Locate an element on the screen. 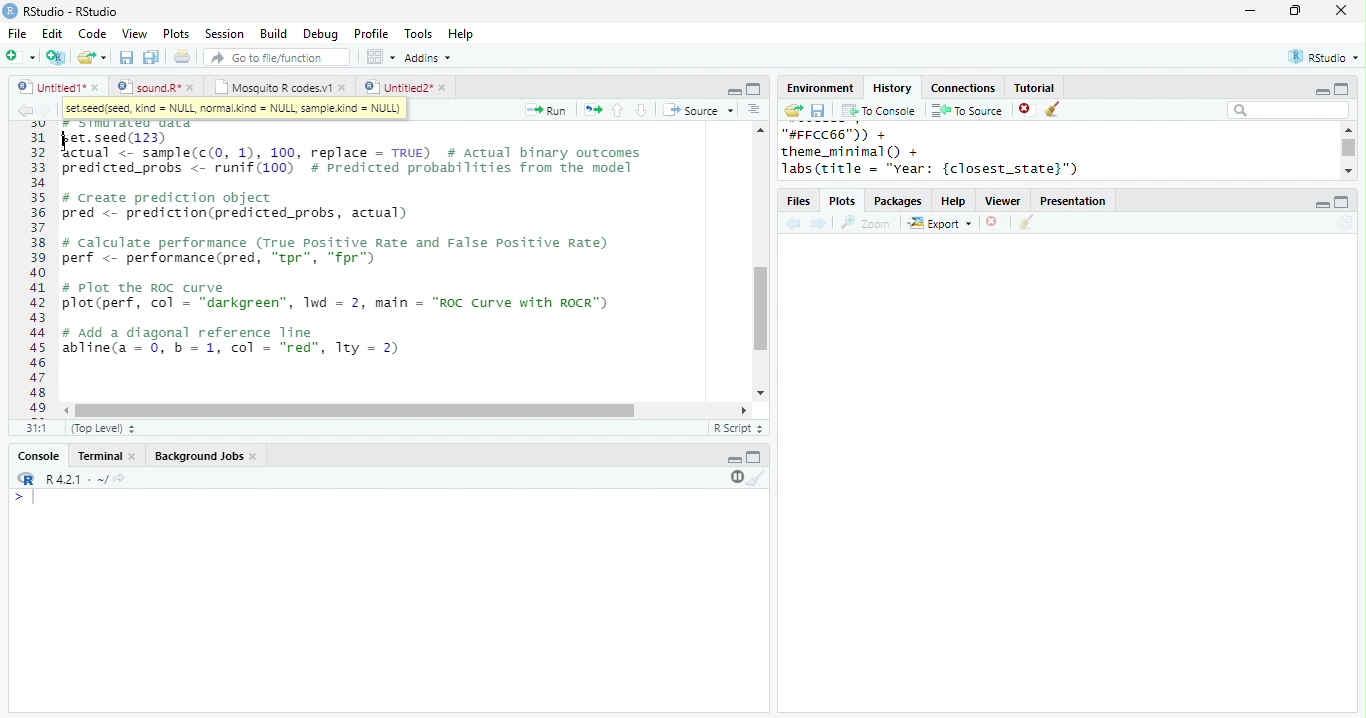  close is located at coordinates (97, 87).